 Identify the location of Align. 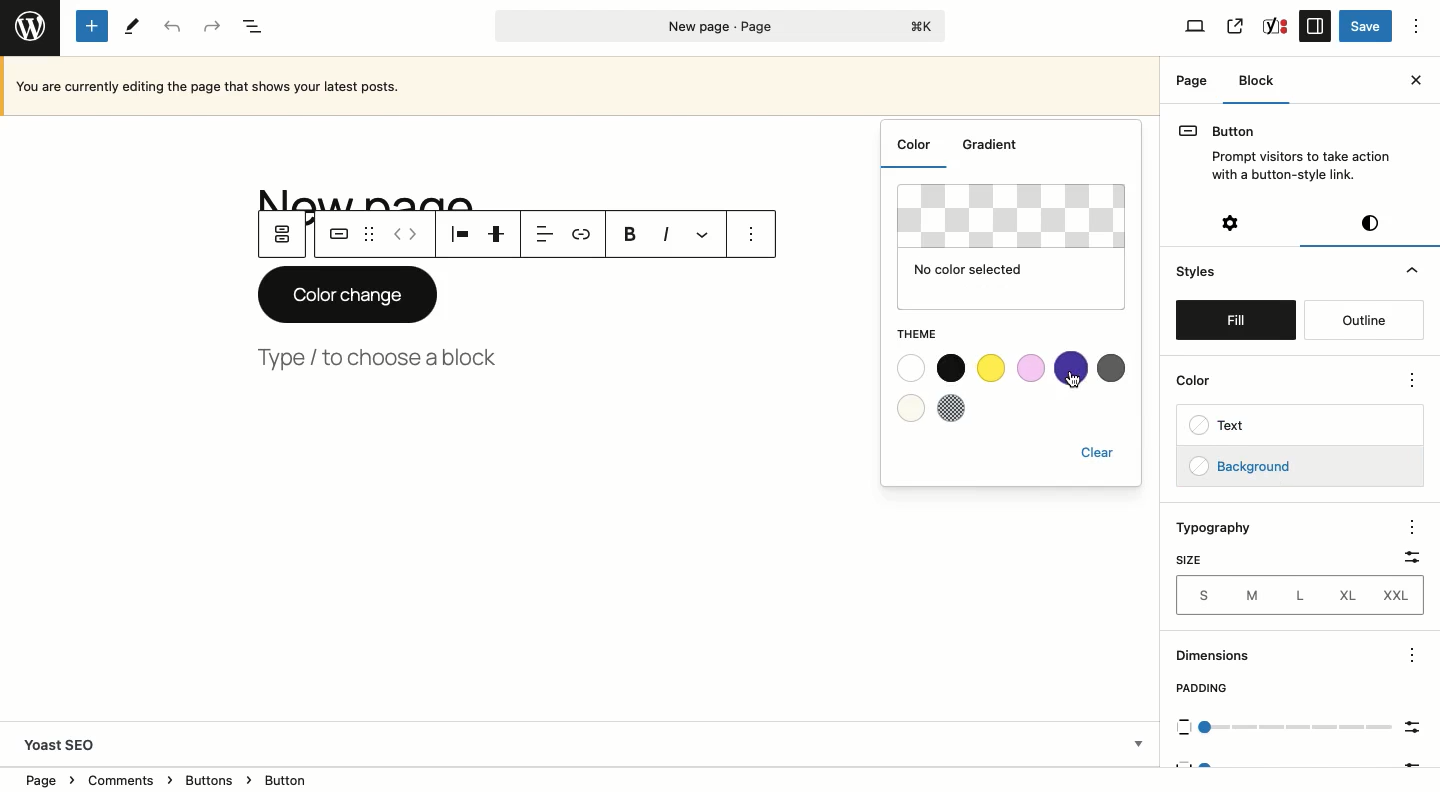
(457, 234).